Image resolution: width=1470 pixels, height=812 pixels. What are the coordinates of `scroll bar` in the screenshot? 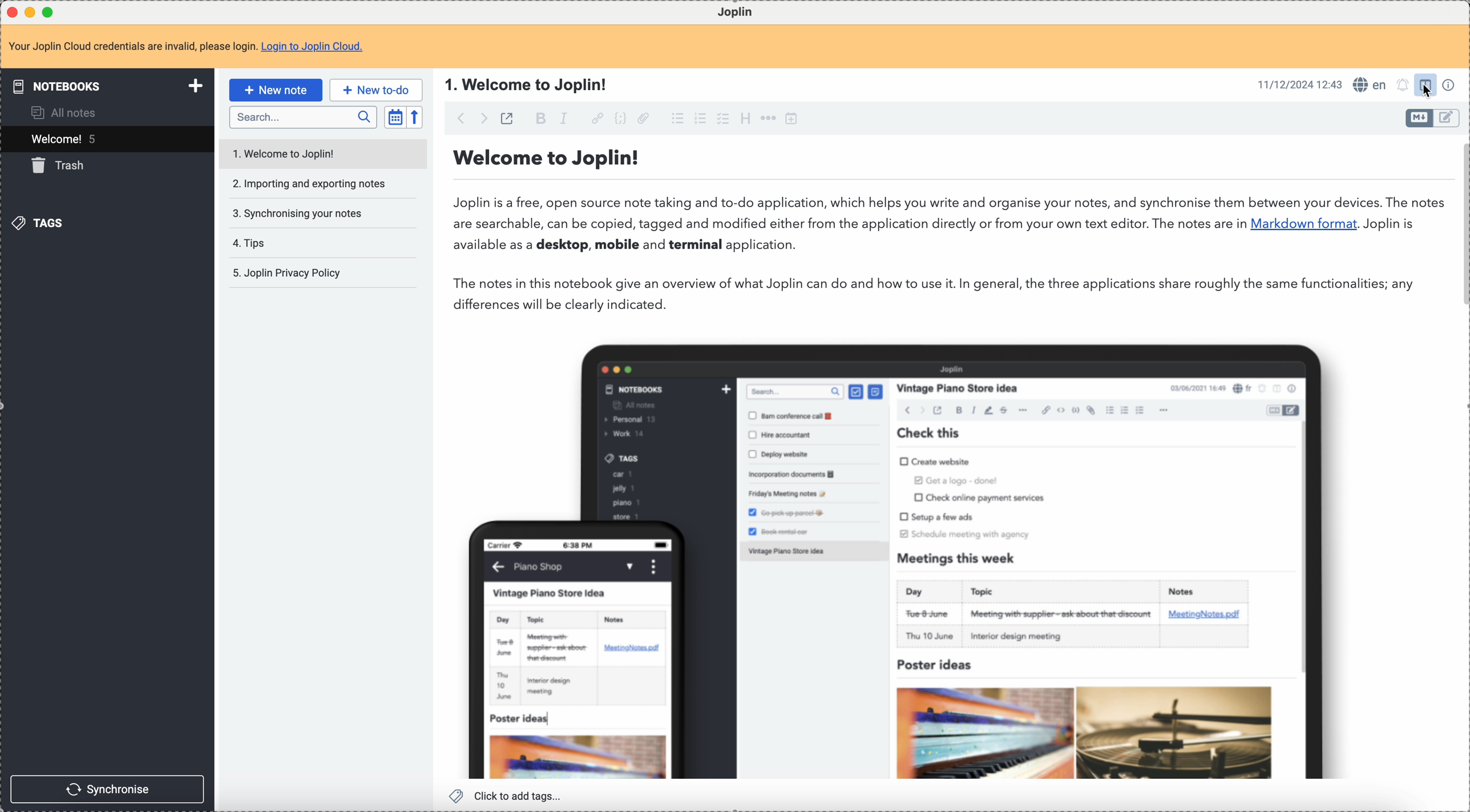 It's located at (1461, 221).